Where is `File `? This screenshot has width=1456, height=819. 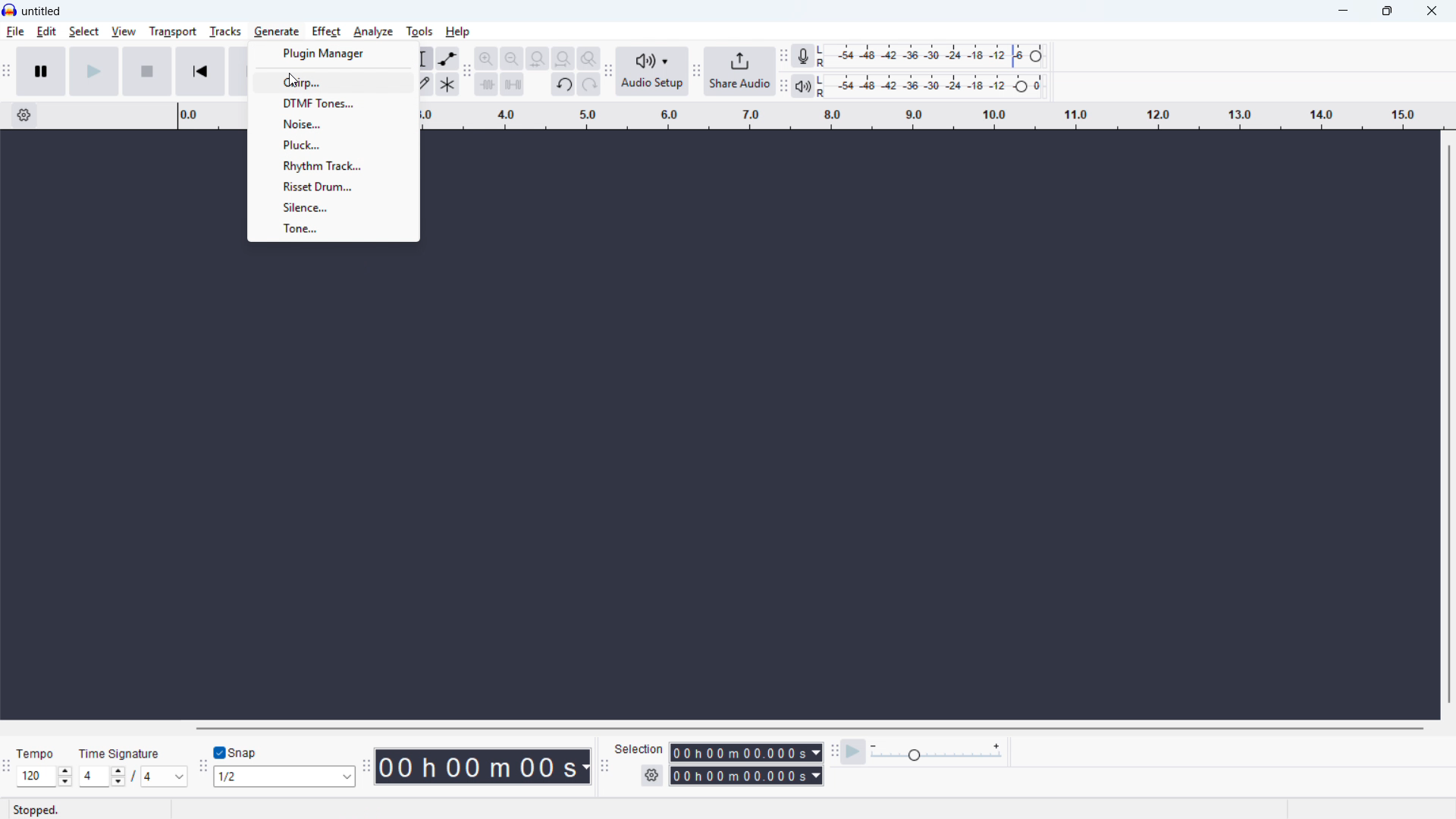
File  is located at coordinates (15, 33).